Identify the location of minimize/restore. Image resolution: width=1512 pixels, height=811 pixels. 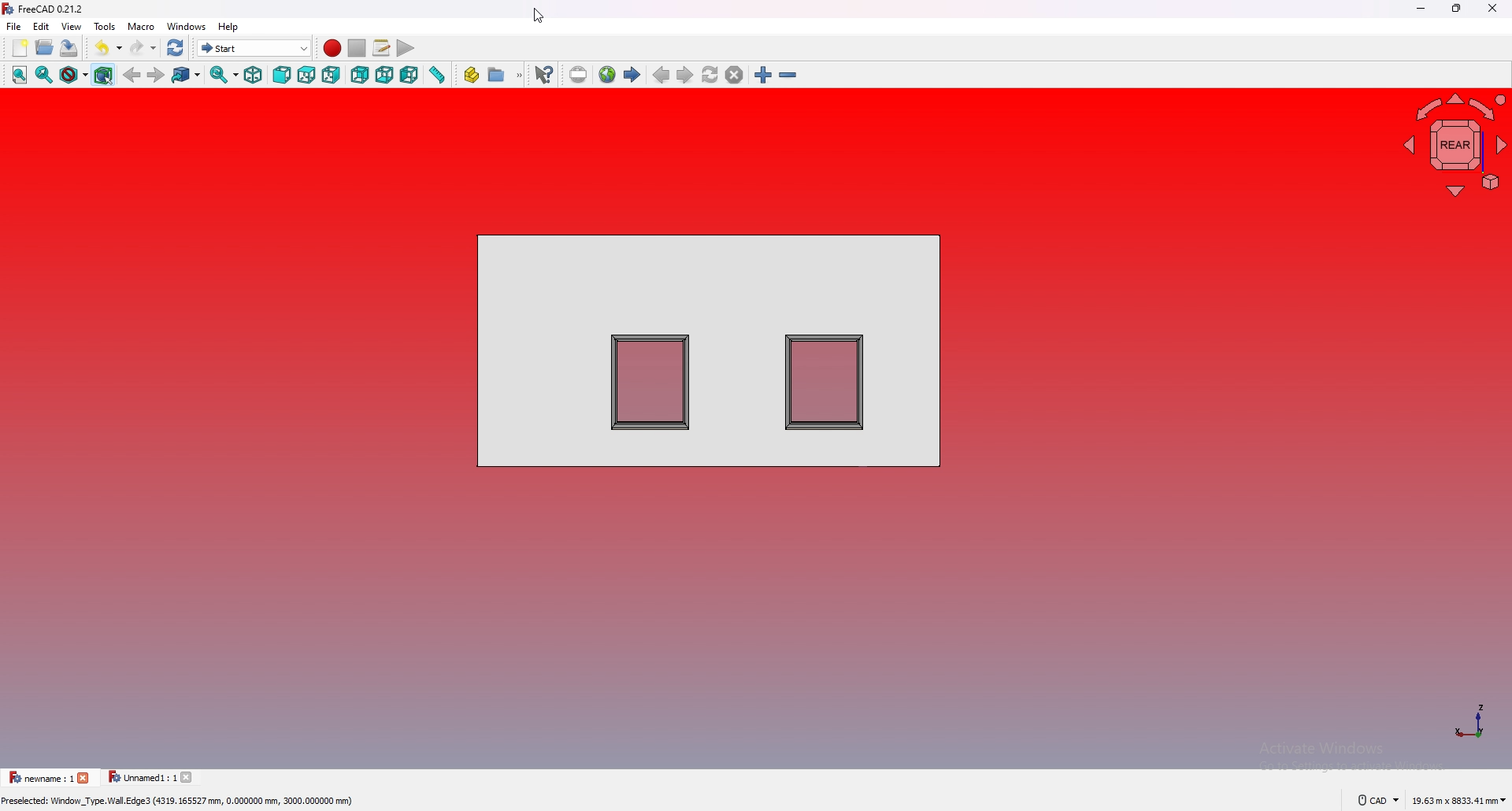
(1458, 8).